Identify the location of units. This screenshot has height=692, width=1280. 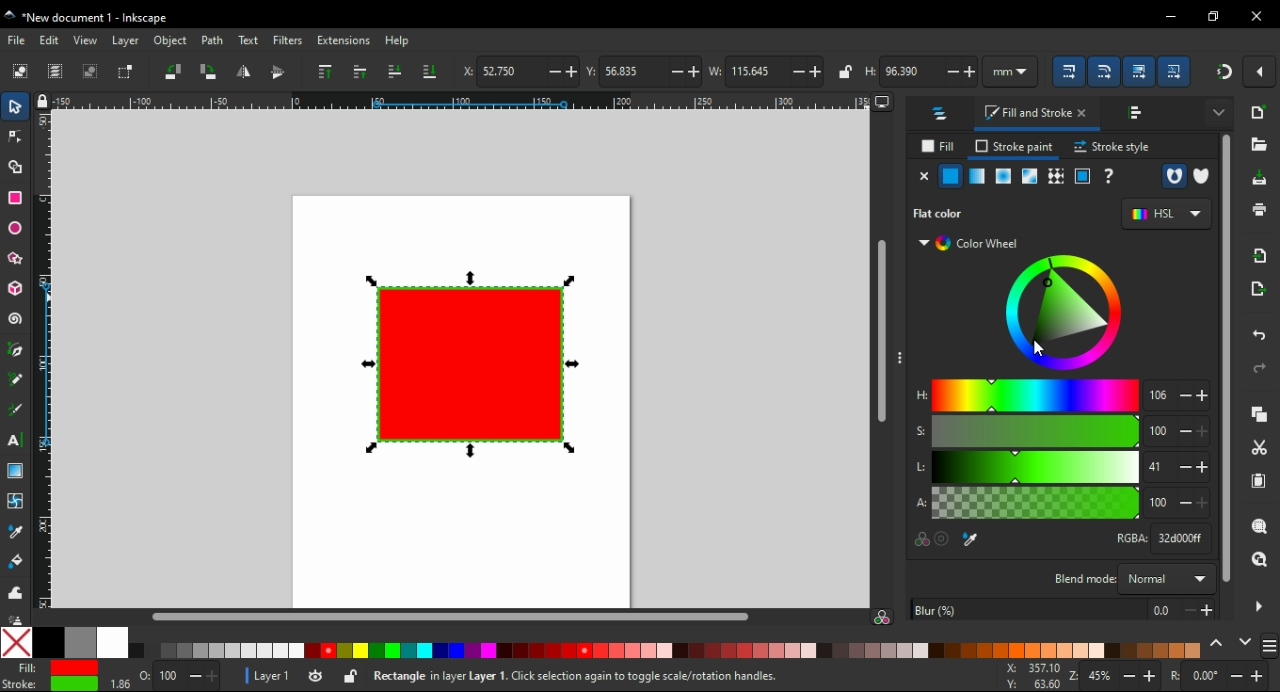
(1013, 71).